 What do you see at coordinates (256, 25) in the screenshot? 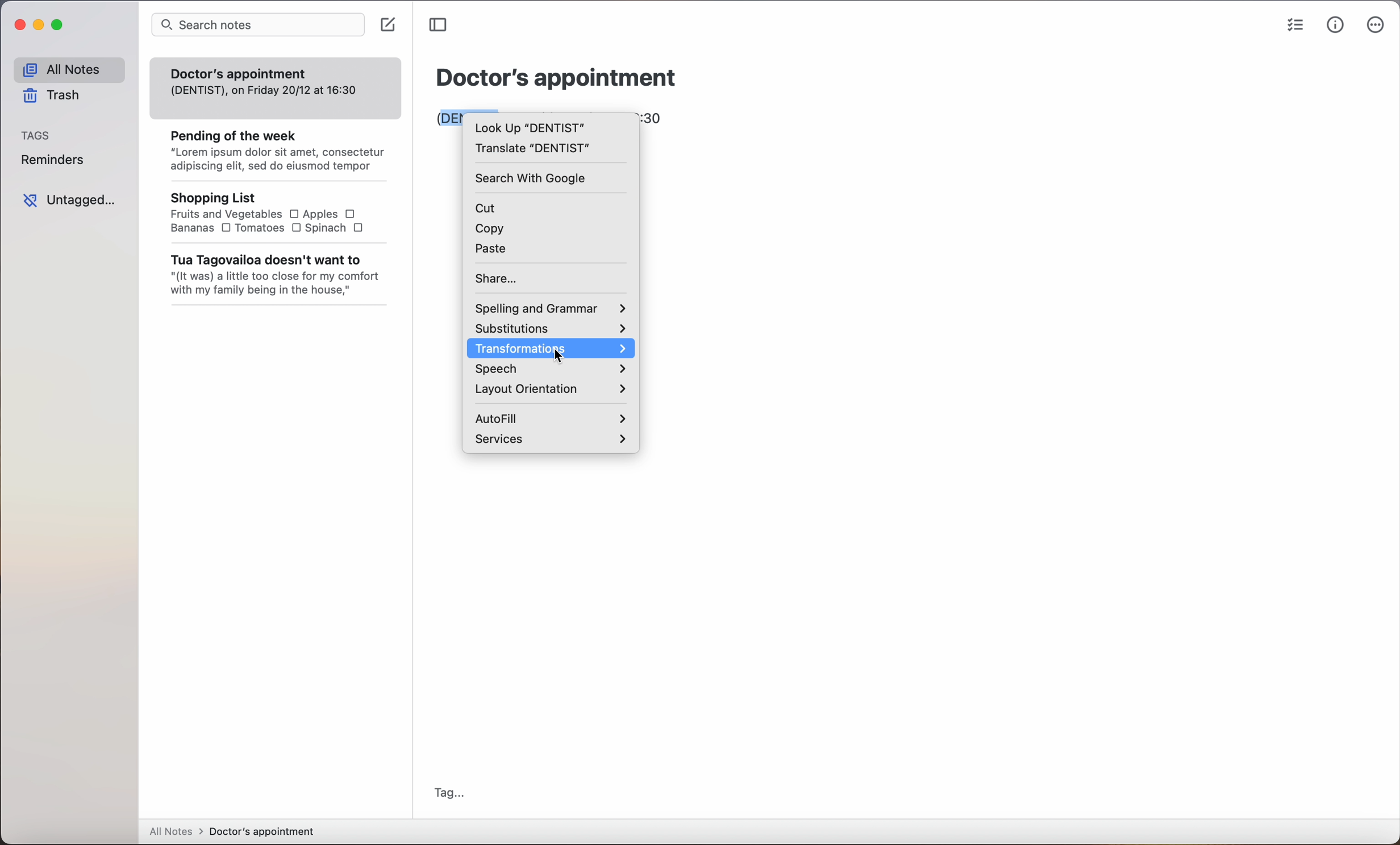
I see `search notes` at bounding box center [256, 25].